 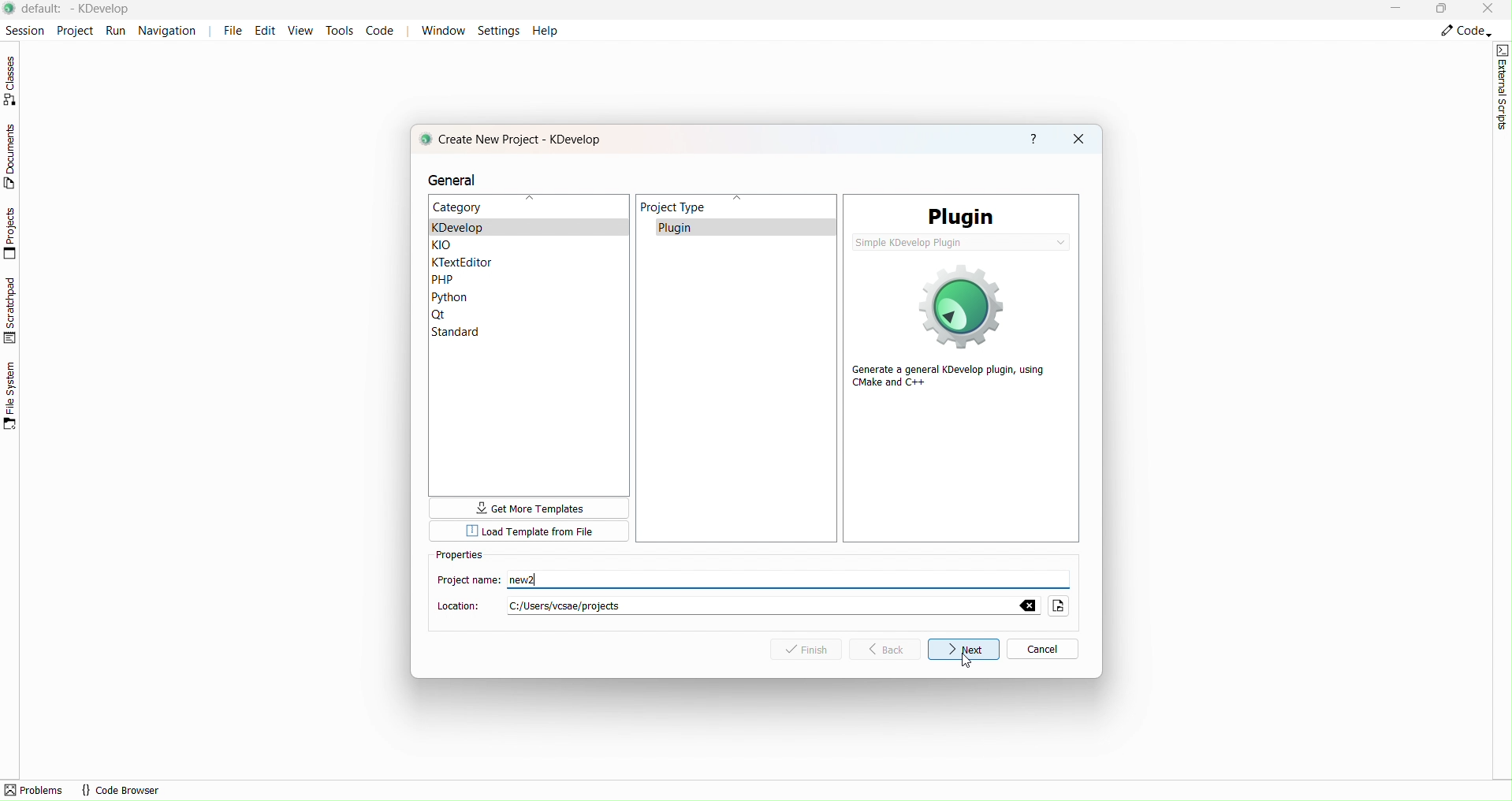 What do you see at coordinates (463, 261) in the screenshot?
I see `Ktexteditor` at bounding box center [463, 261].